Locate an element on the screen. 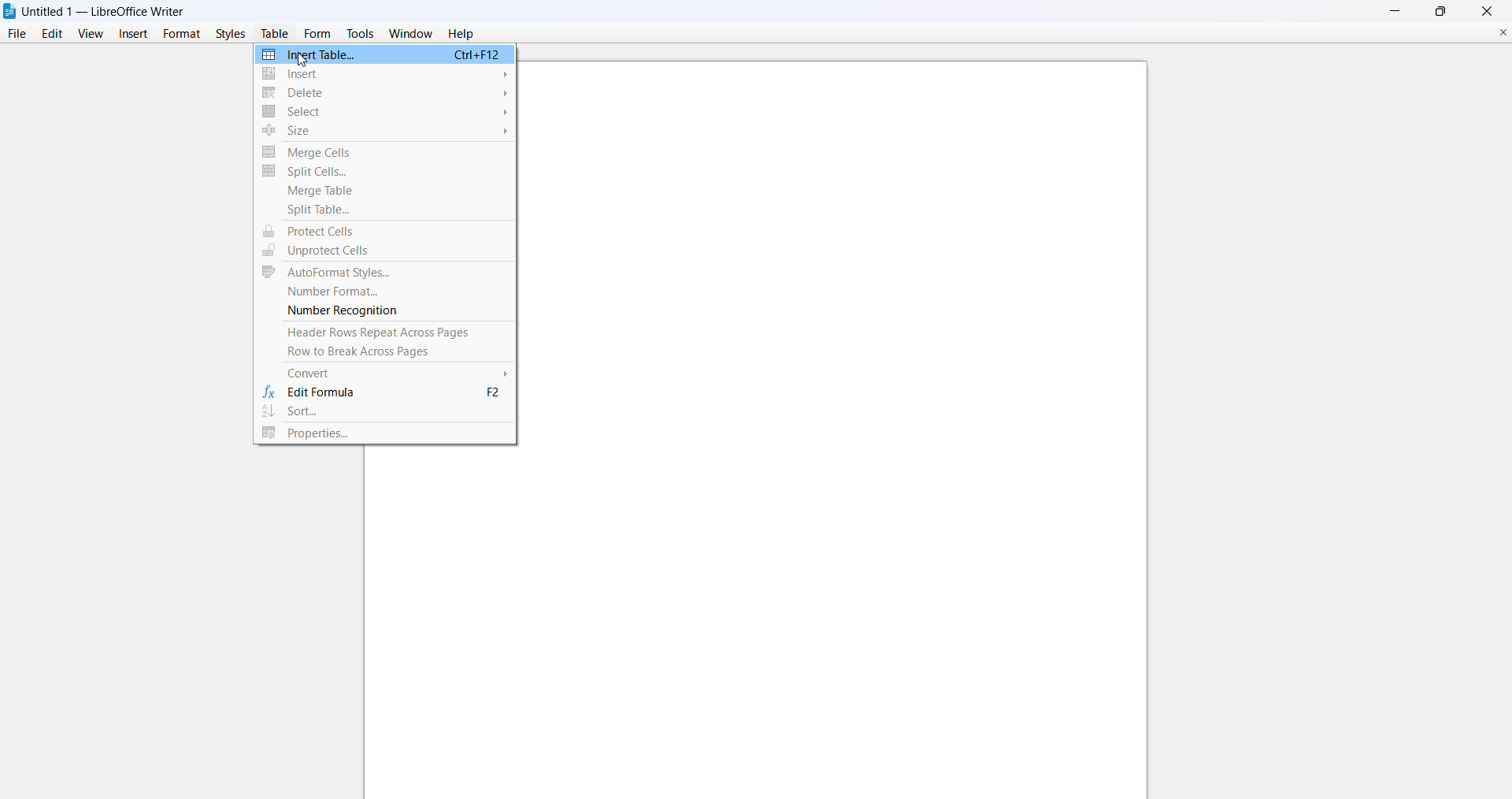 This screenshot has height=799, width=1512. row to break across pages is located at coordinates (388, 353).